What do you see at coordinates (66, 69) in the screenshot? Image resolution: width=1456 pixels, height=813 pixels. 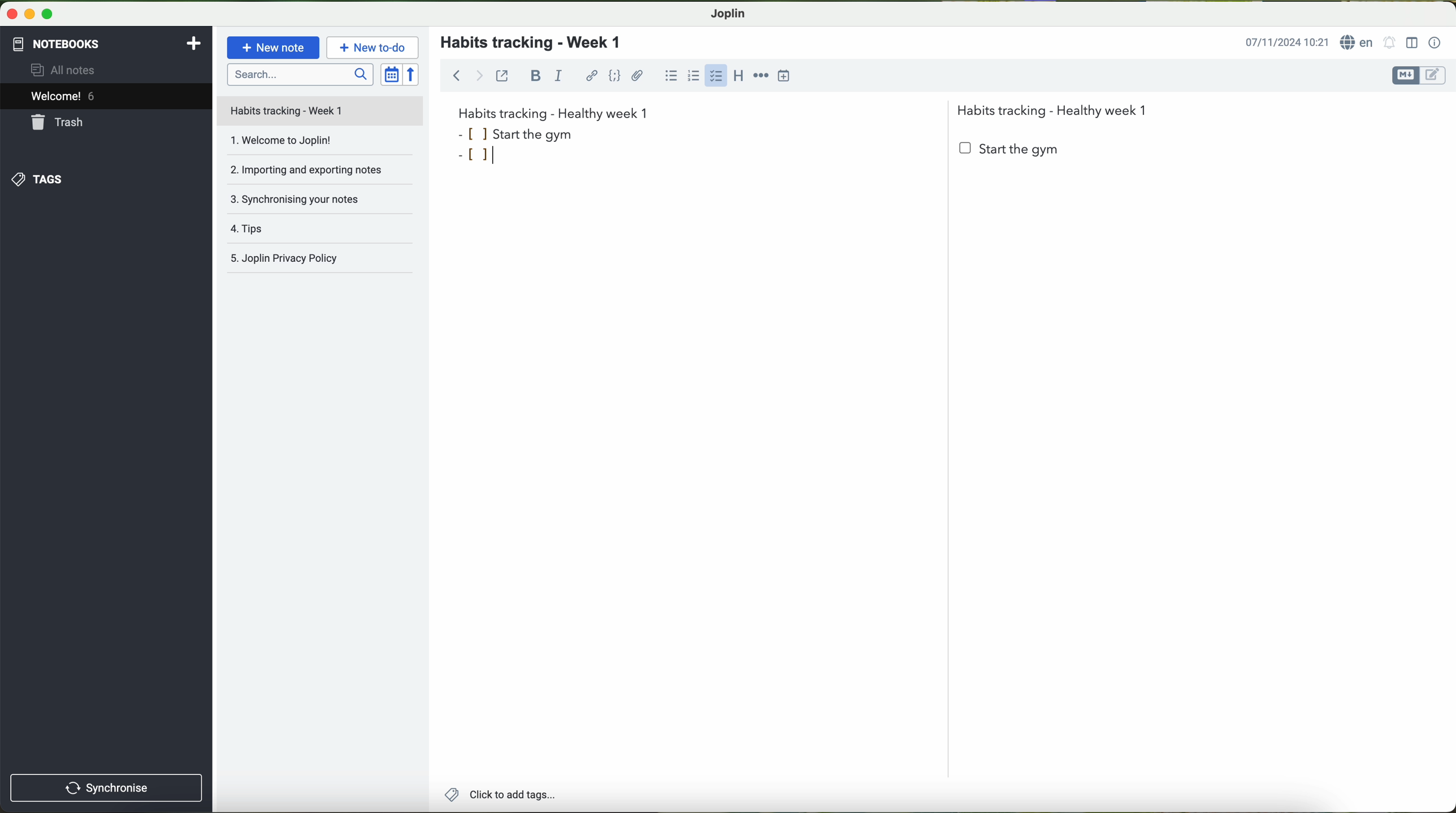 I see `all notes` at bounding box center [66, 69].